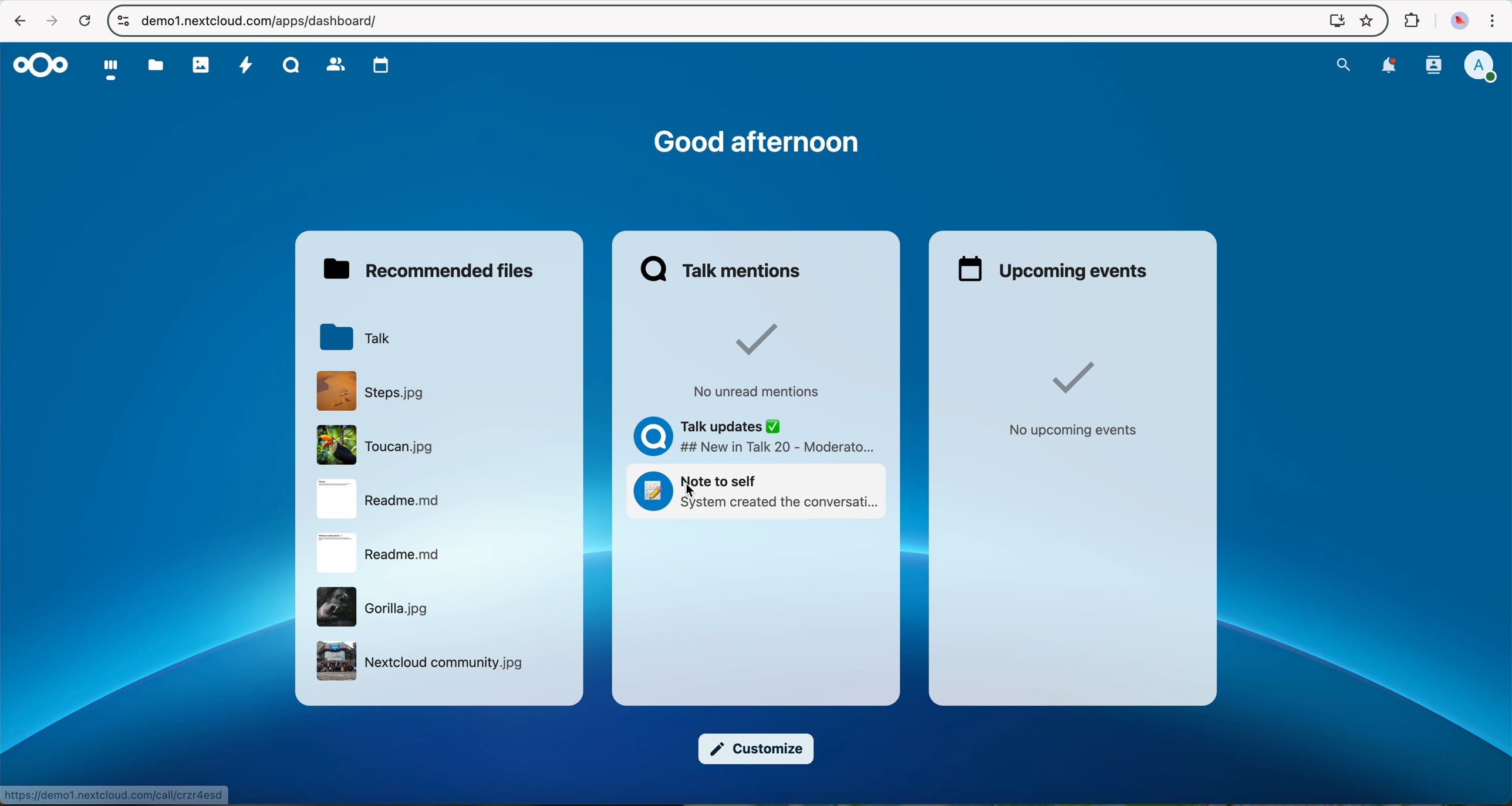 The height and width of the screenshot is (806, 1512). I want to click on Talk, so click(290, 64).